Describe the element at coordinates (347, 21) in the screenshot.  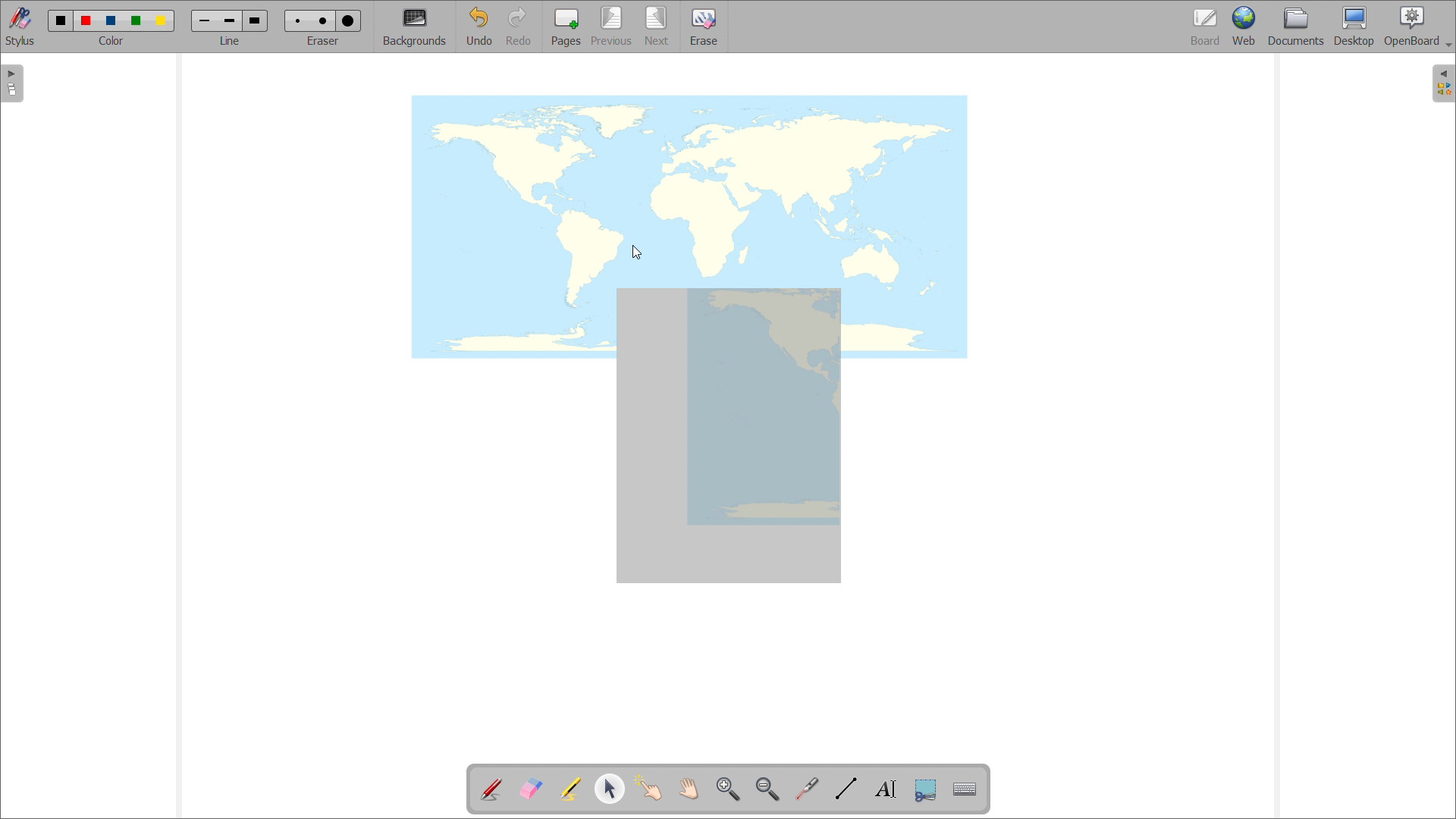
I see `large` at that location.